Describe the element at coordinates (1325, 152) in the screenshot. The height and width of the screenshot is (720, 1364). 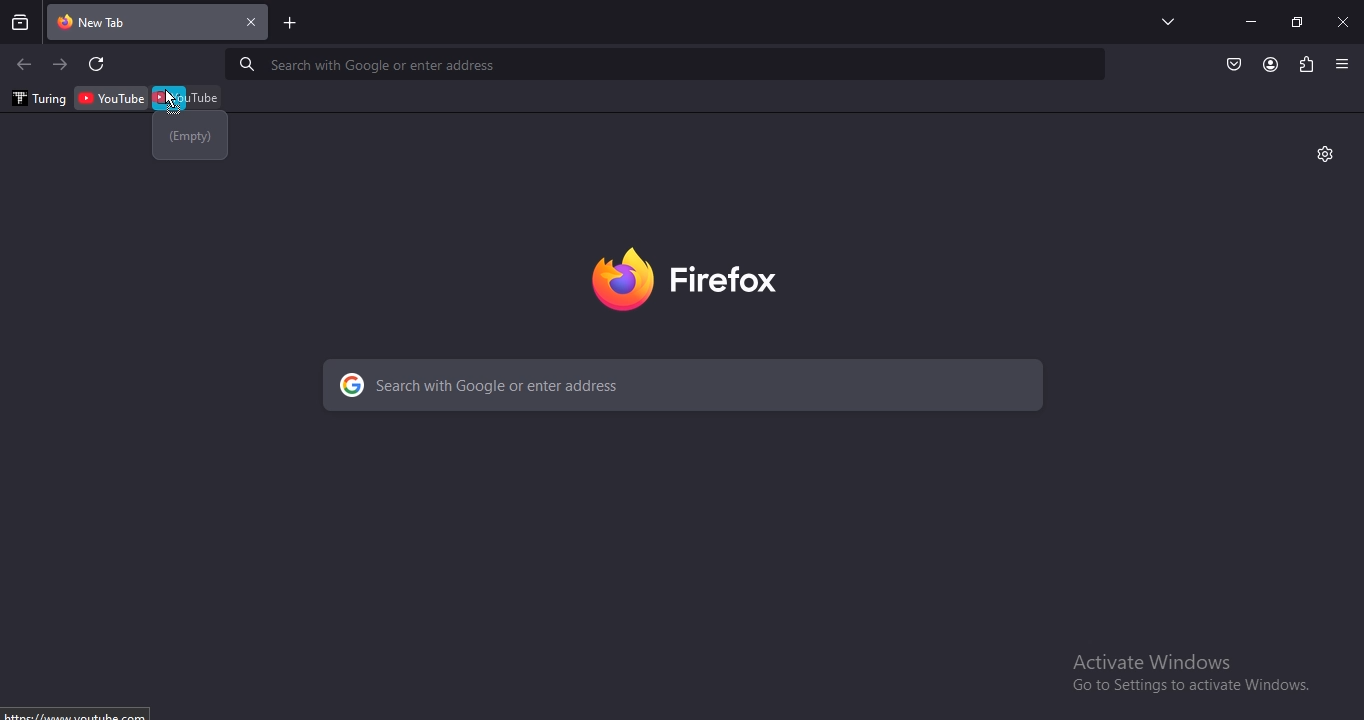
I see `settings` at that location.